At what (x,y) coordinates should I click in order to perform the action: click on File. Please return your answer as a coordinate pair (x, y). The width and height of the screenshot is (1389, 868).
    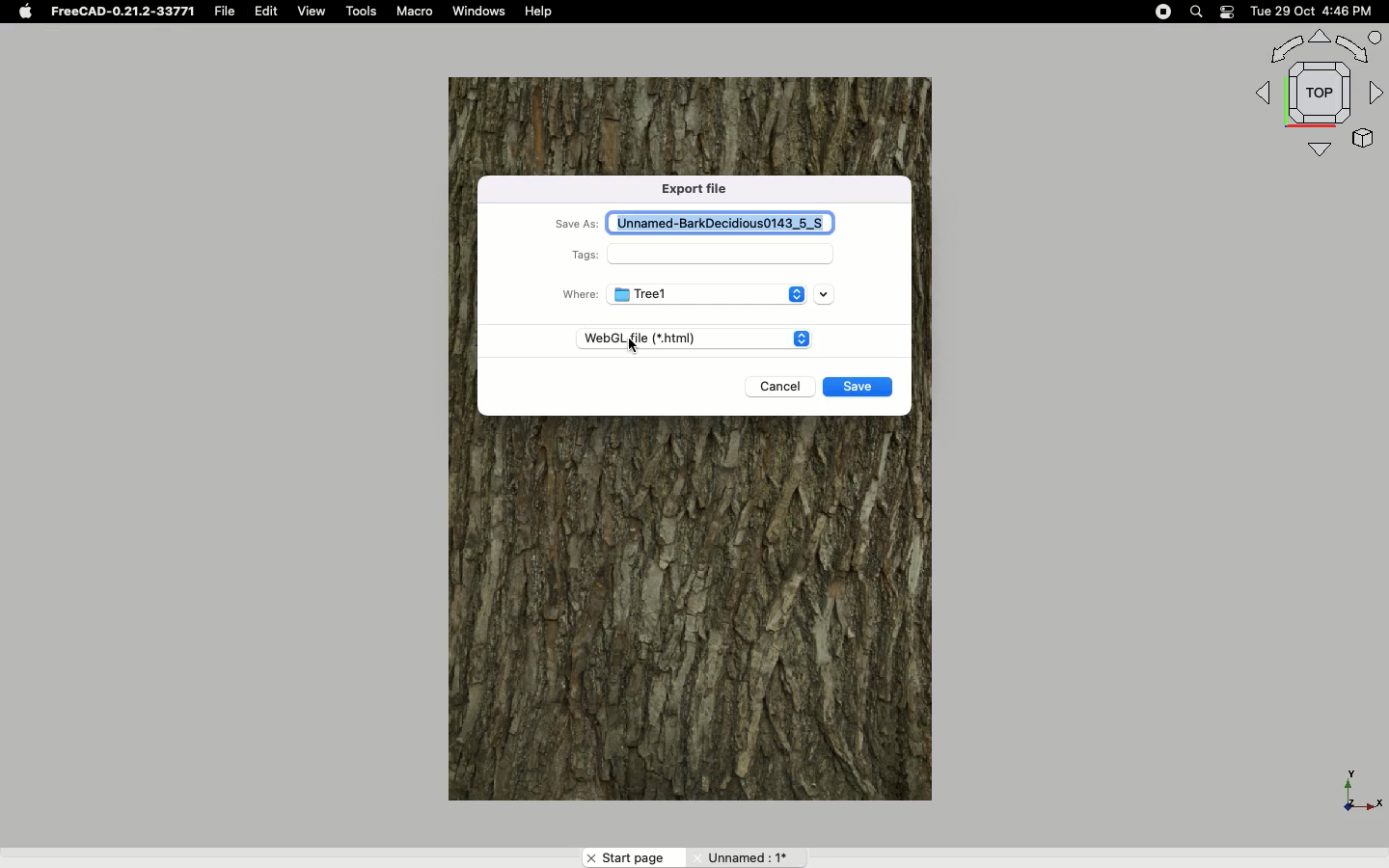
    Looking at the image, I should click on (225, 12).